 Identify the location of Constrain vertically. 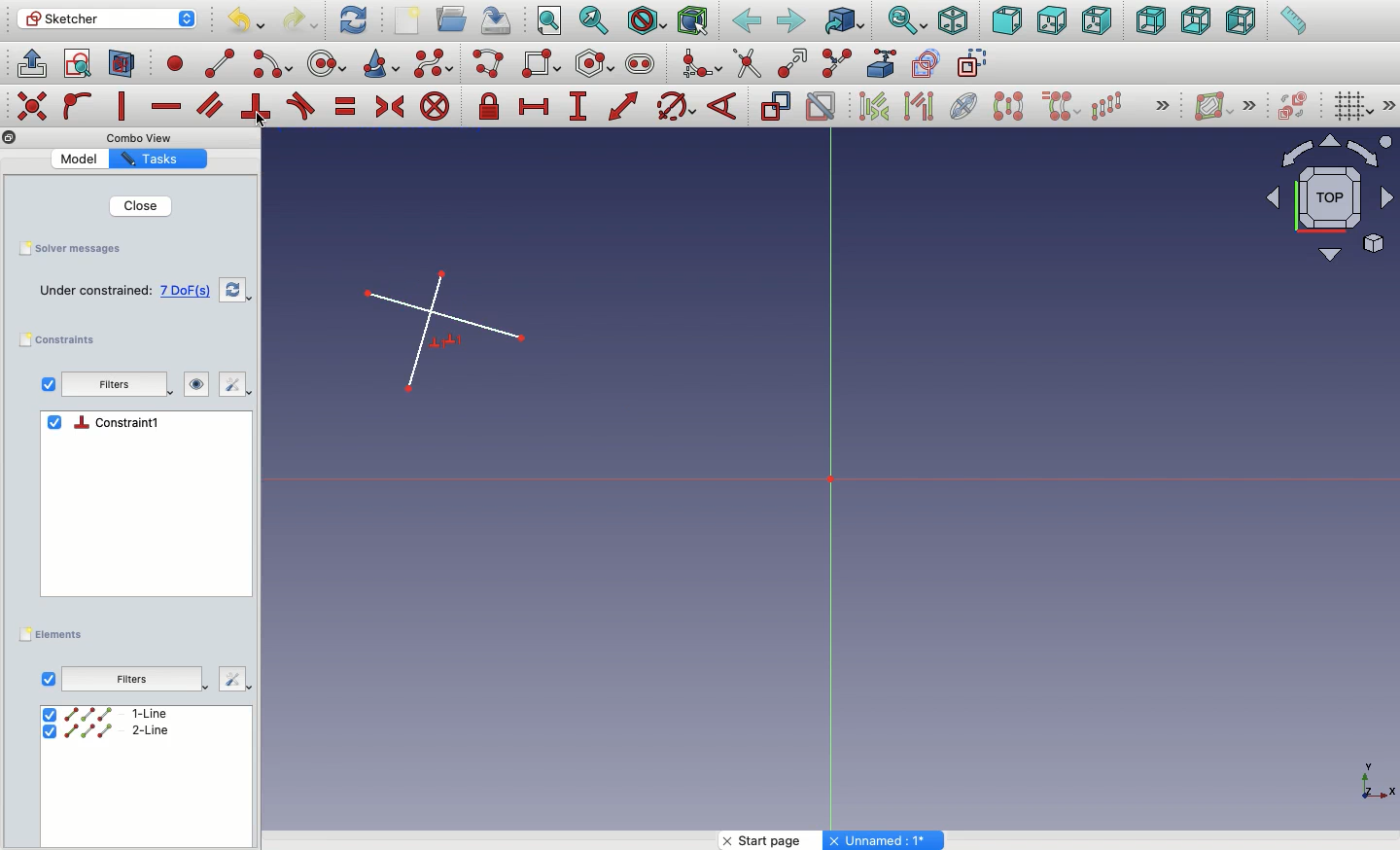
(124, 106).